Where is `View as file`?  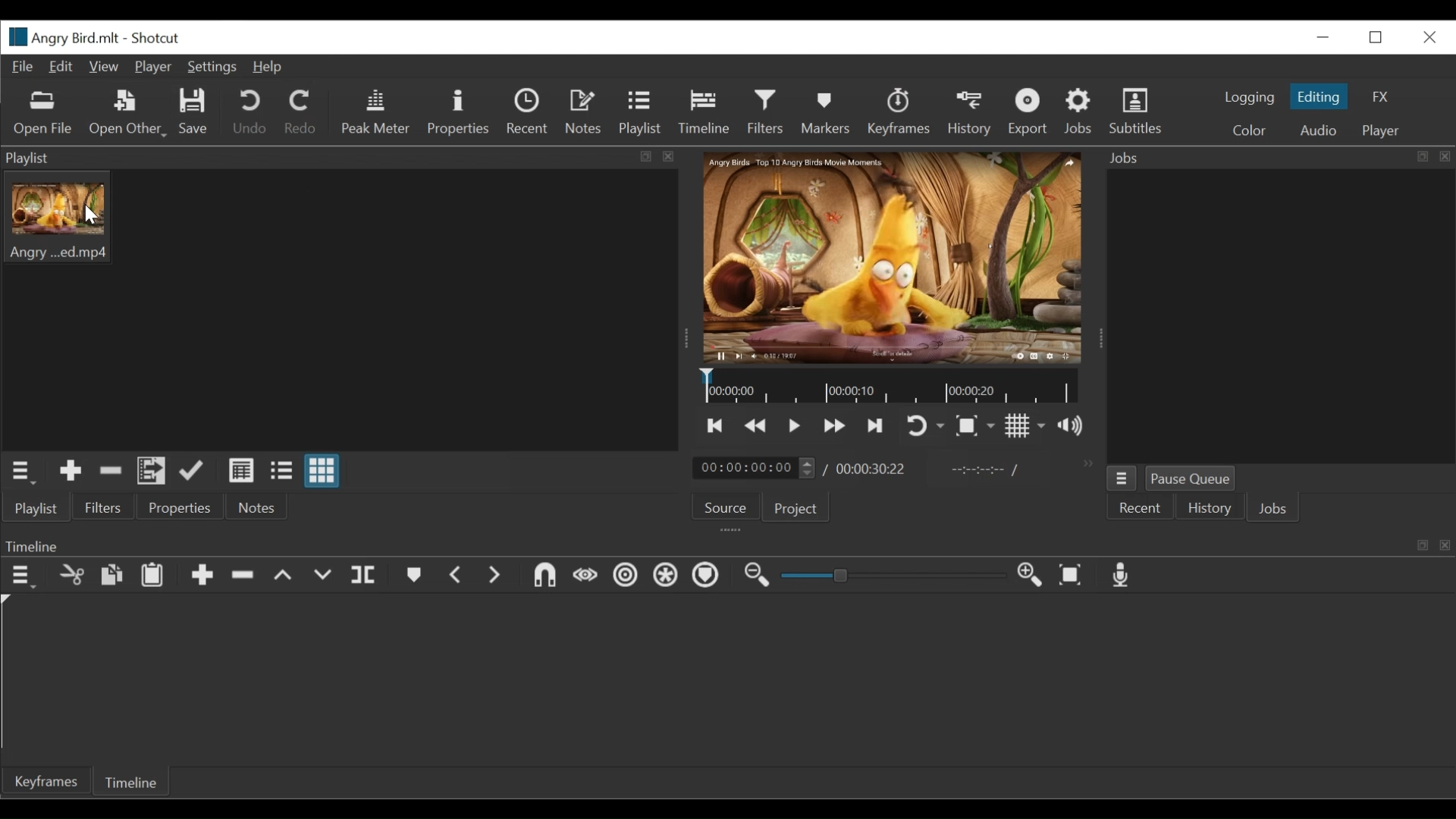 View as file is located at coordinates (281, 471).